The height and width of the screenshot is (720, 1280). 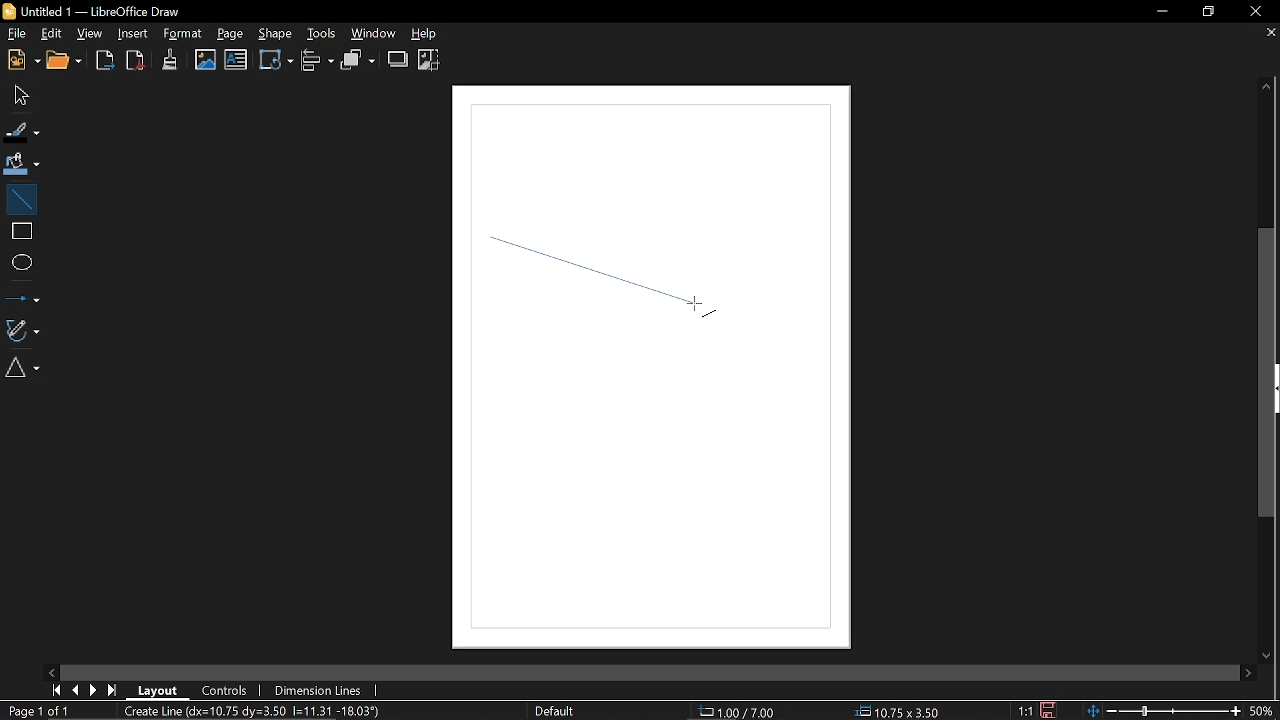 I want to click on cursor, so click(x=700, y=304).